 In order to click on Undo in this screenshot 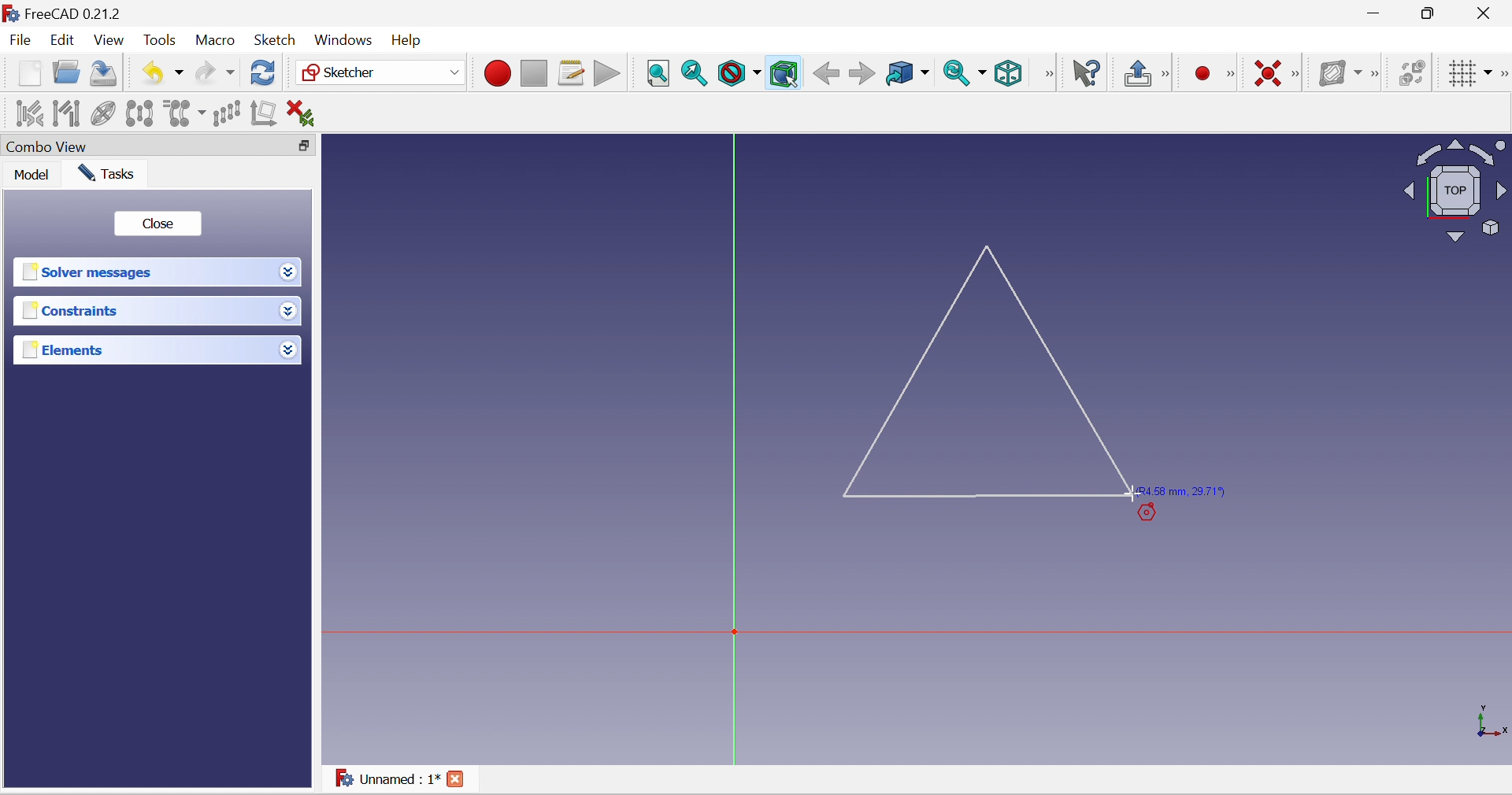, I will do `click(161, 74)`.